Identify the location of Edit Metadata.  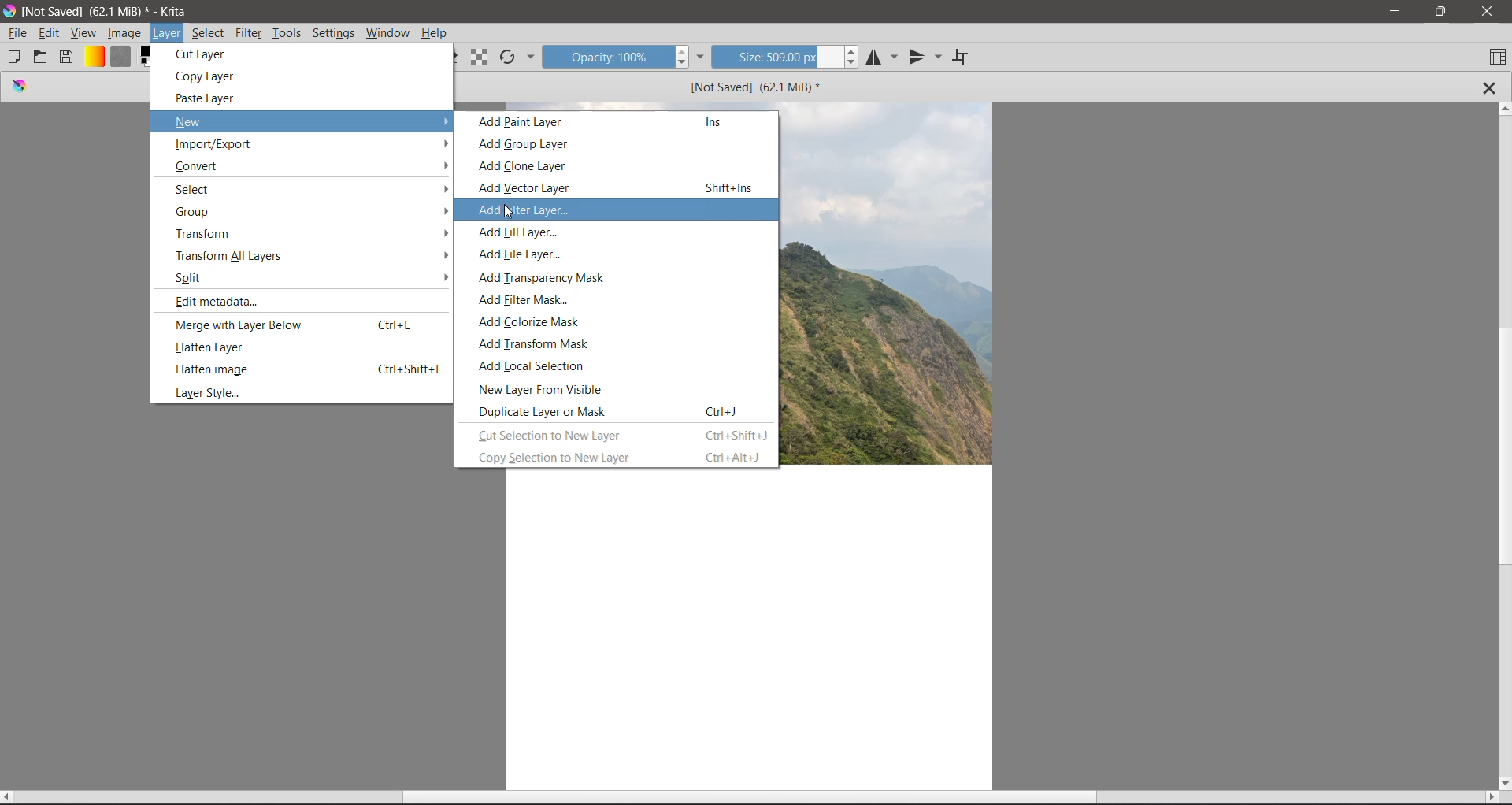
(224, 300).